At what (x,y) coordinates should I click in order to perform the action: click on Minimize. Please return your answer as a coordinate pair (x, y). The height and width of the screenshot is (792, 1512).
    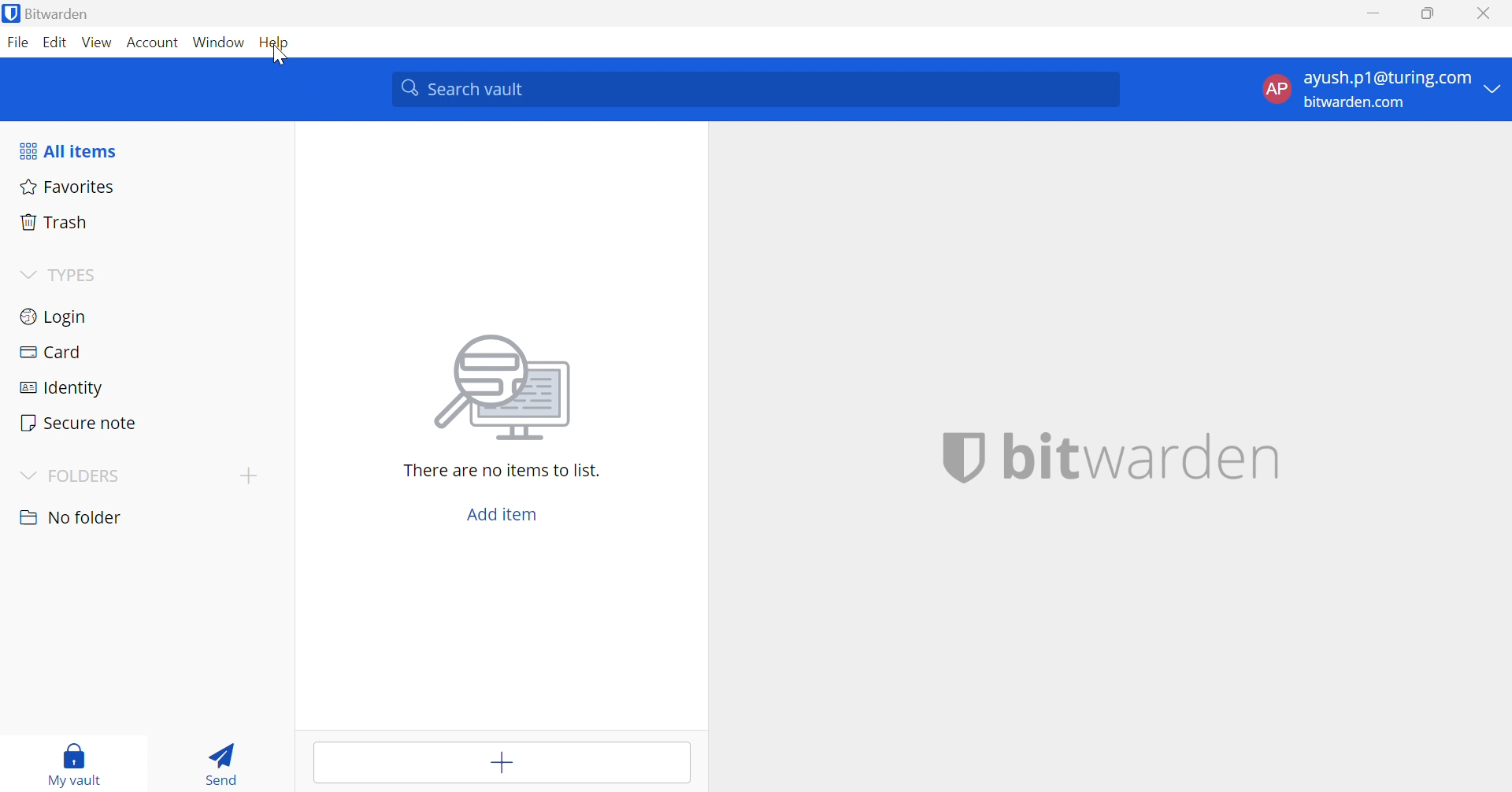
    Looking at the image, I should click on (1372, 15).